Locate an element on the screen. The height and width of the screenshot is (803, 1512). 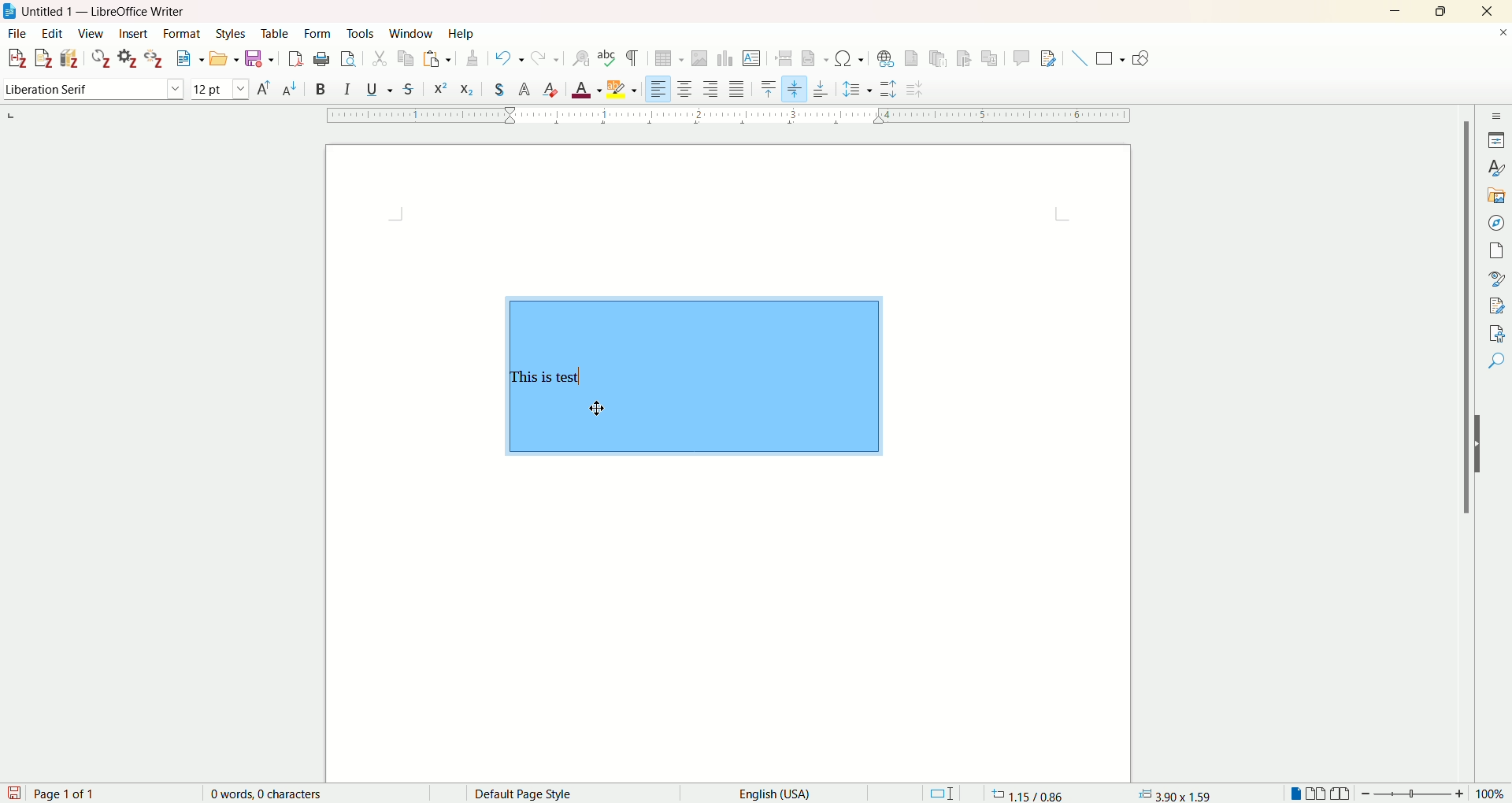
insert line is located at coordinates (1078, 58).